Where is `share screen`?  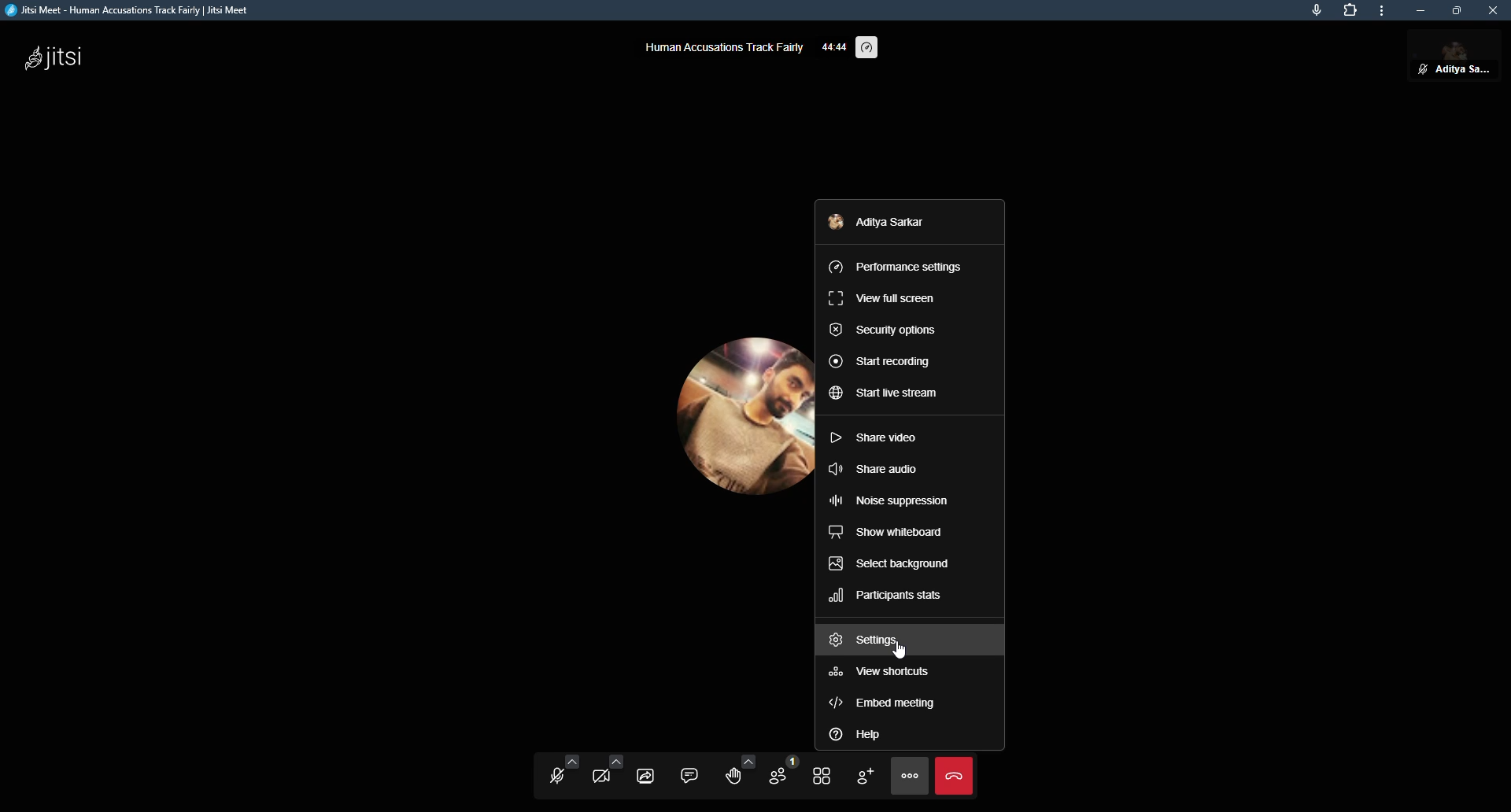 share screen is located at coordinates (644, 775).